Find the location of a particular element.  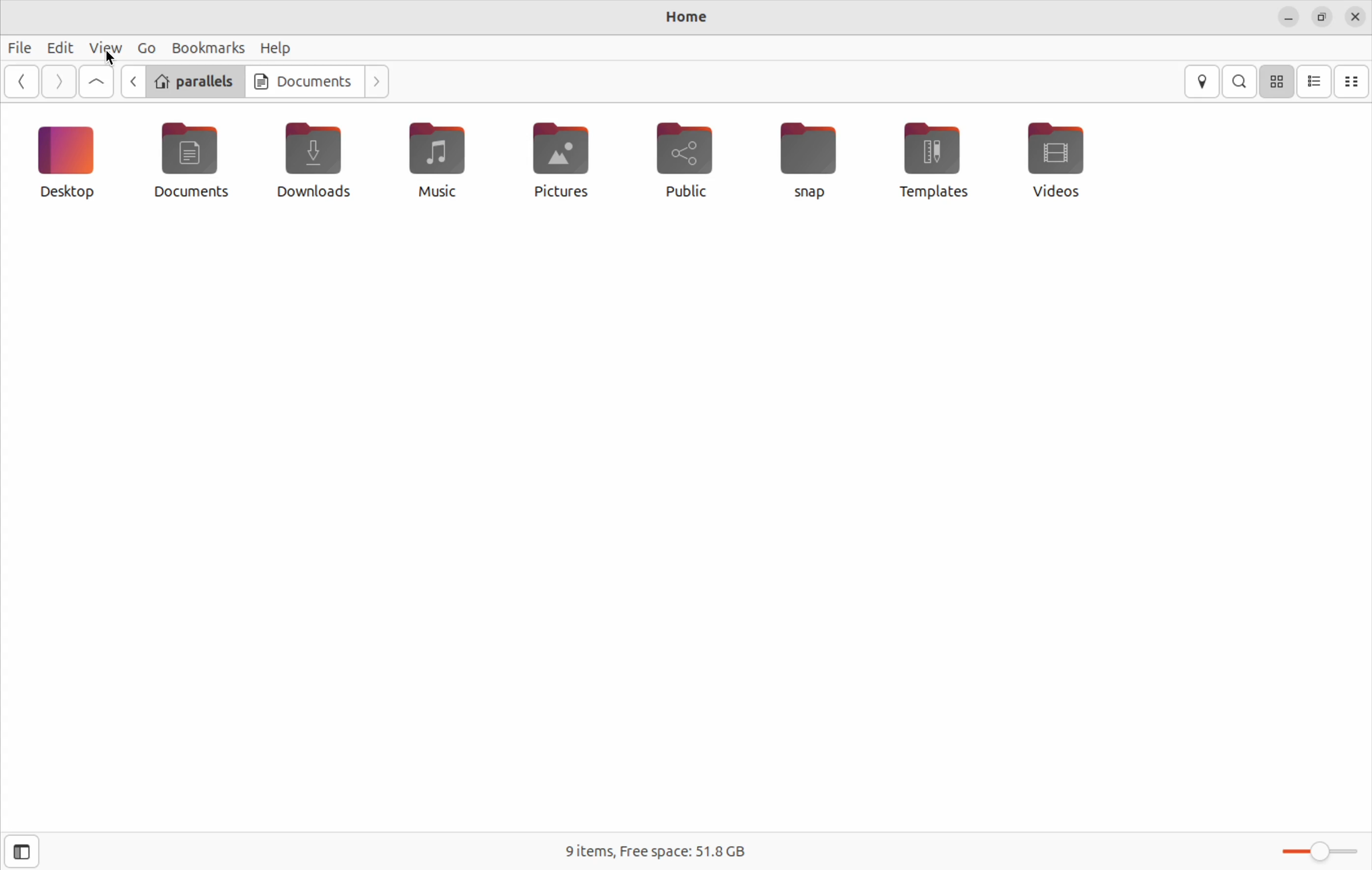

documents is located at coordinates (193, 160).